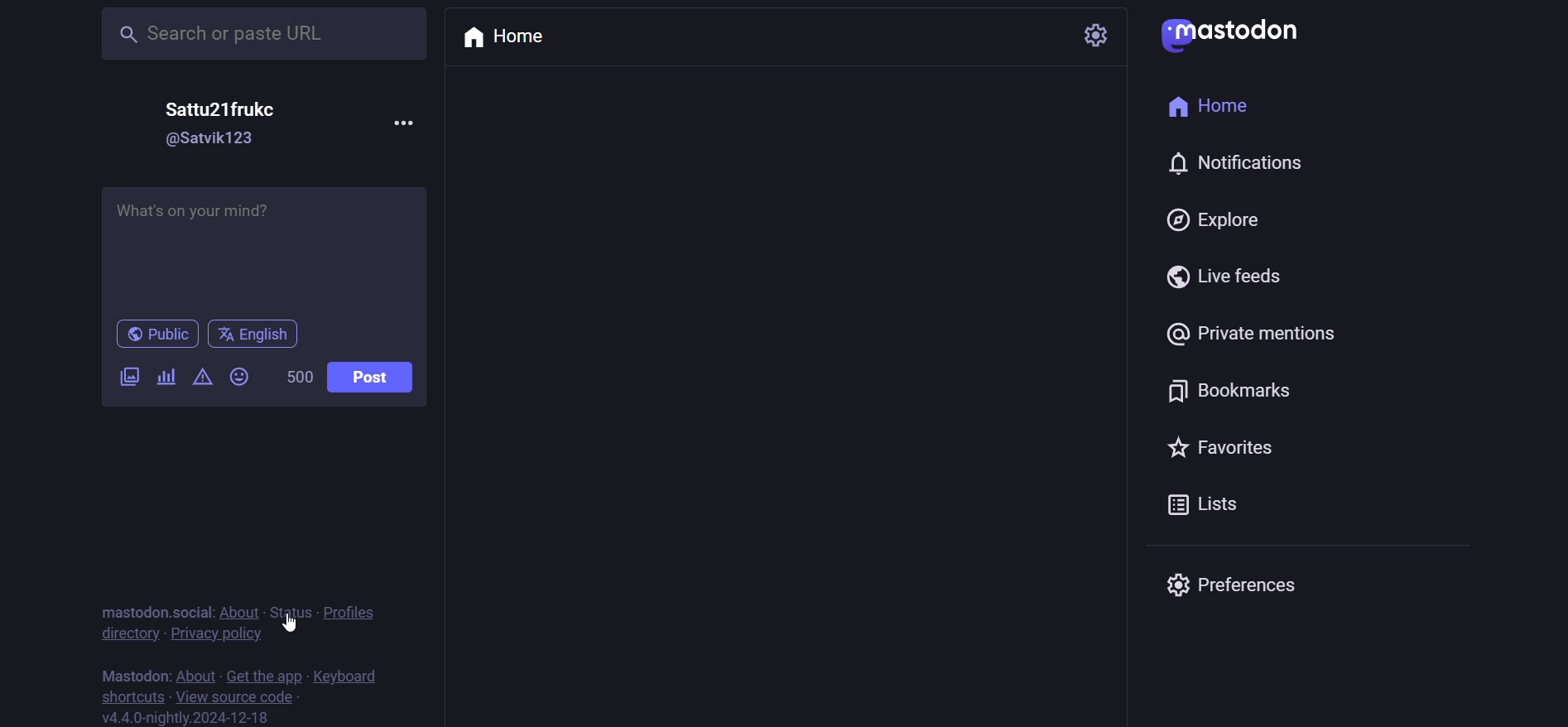 The width and height of the screenshot is (1568, 727). Describe the element at coordinates (1217, 275) in the screenshot. I see `live feed` at that location.